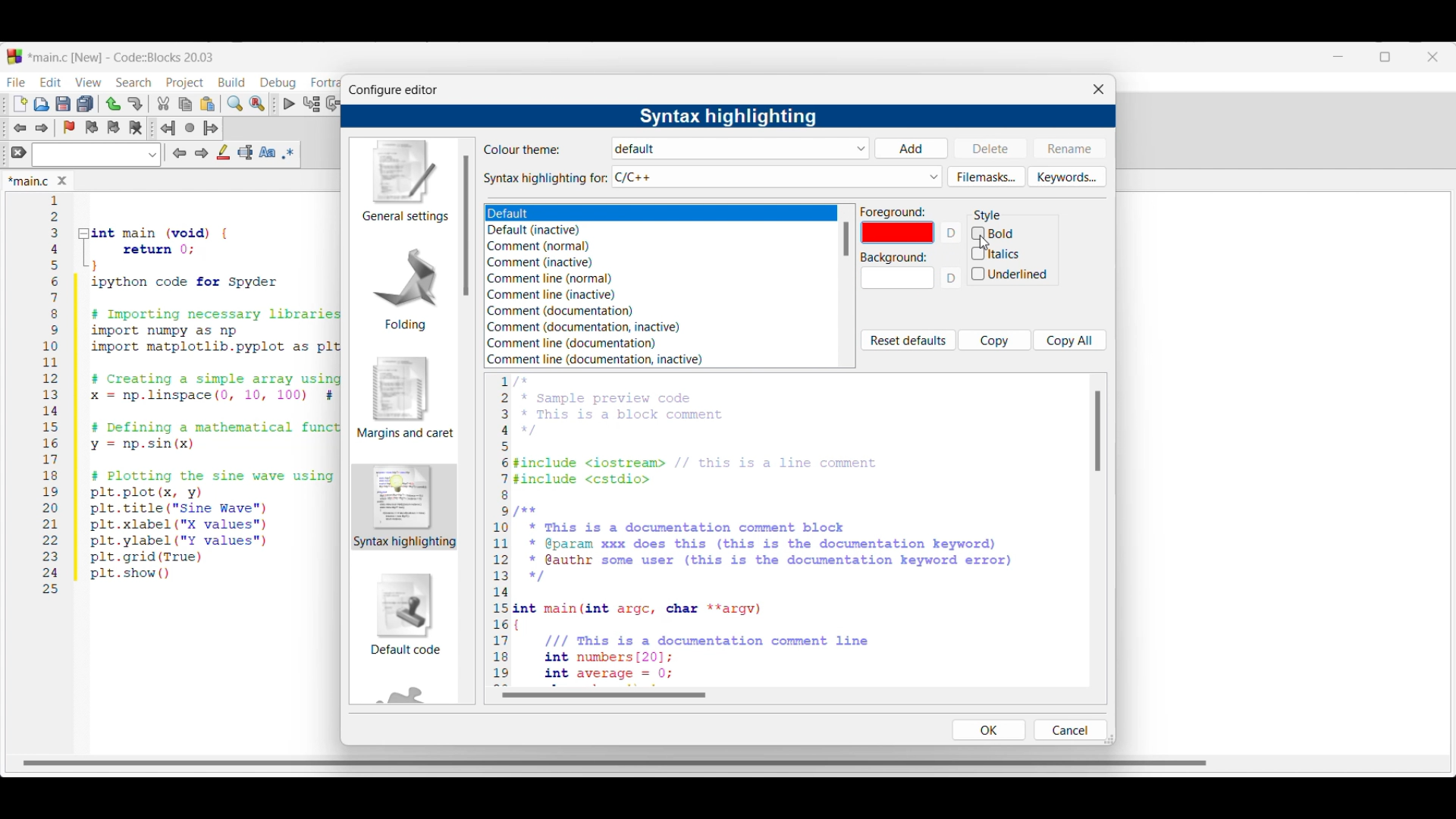 The image size is (1456, 819). I want to click on Save, so click(63, 104).